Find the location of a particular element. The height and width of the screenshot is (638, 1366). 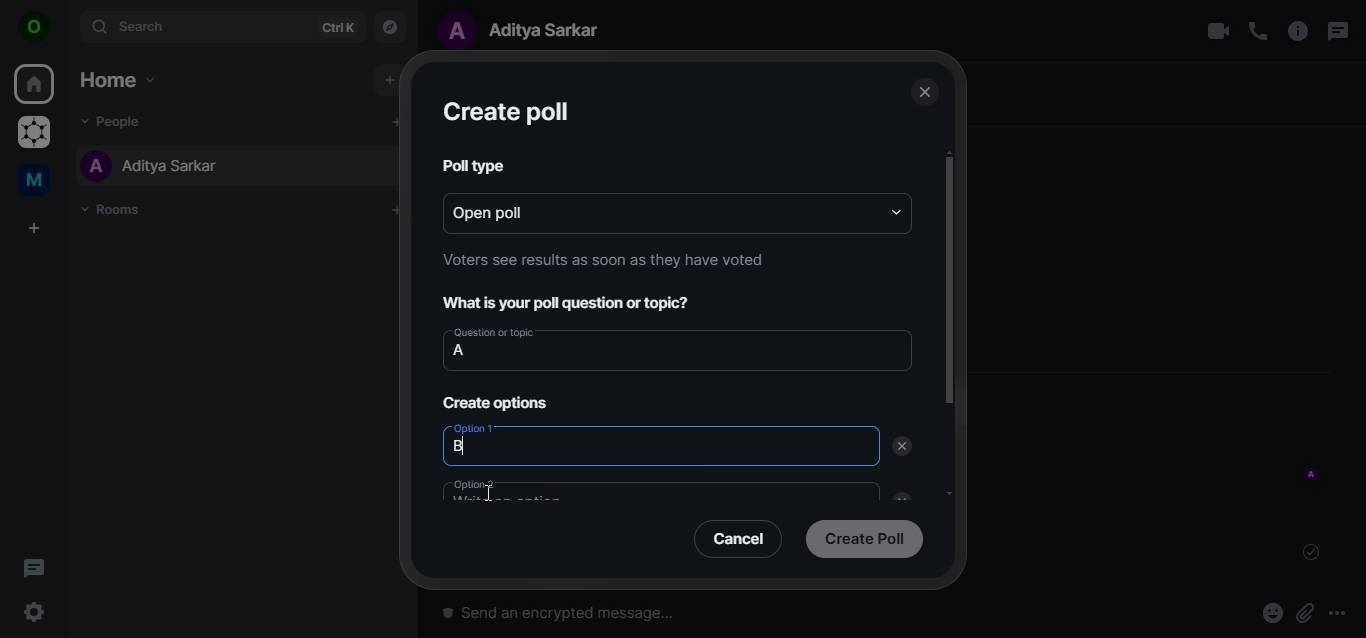

open poll is located at coordinates (513, 211).